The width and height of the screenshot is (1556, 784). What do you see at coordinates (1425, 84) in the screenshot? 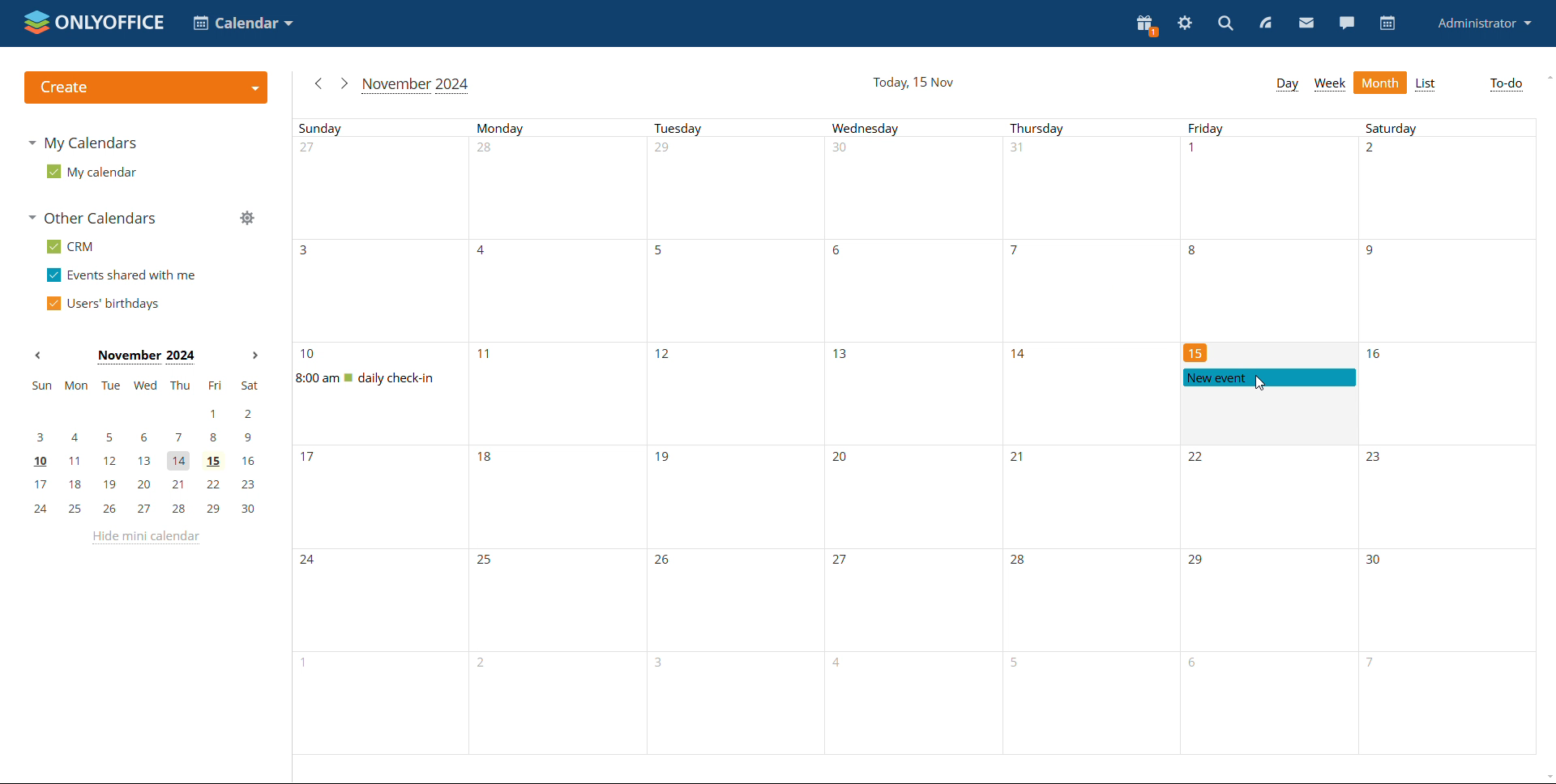
I see `list view` at bounding box center [1425, 84].